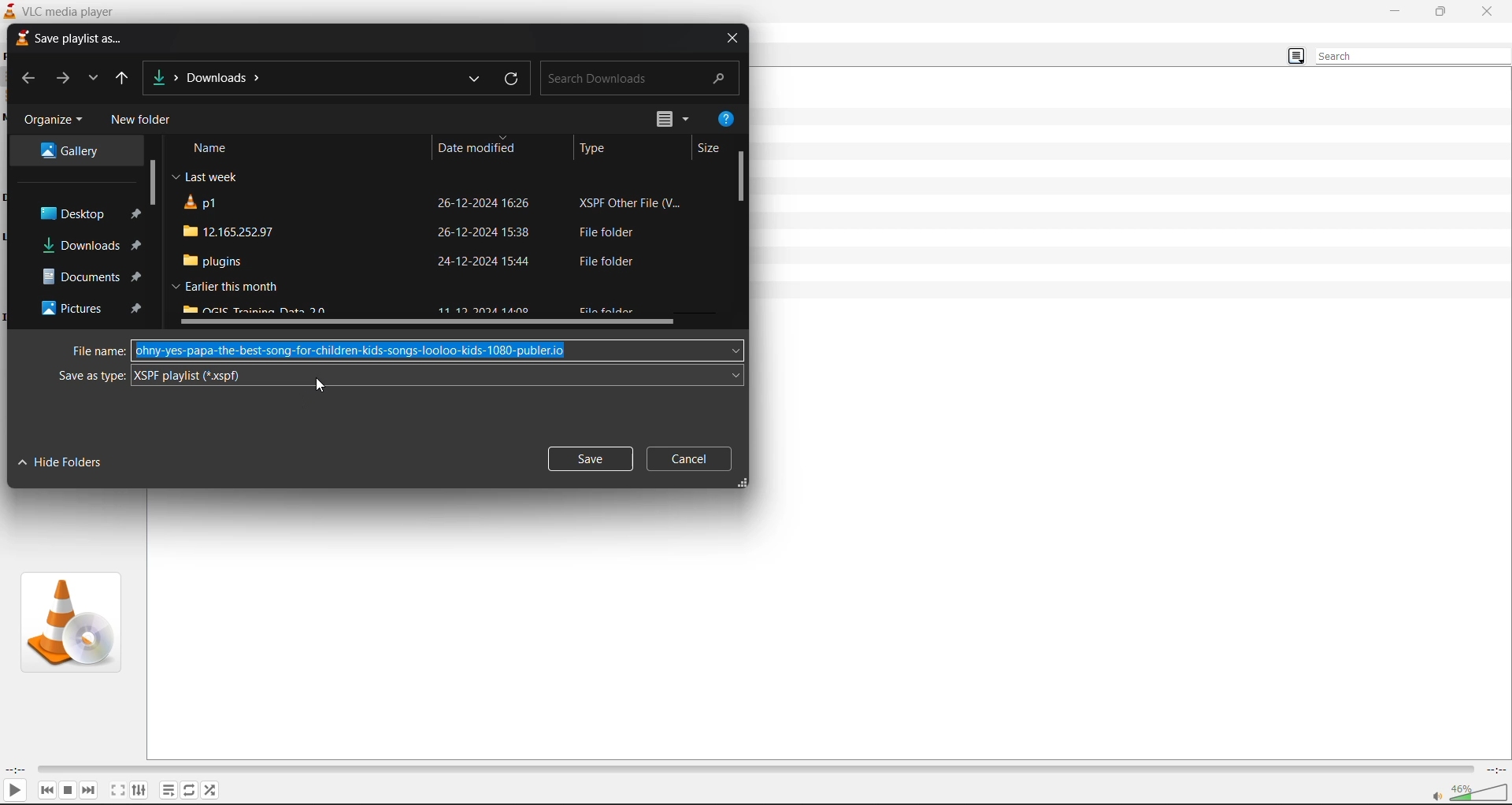 This screenshot has height=805, width=1512. I want to click on size, so click(710, 150).